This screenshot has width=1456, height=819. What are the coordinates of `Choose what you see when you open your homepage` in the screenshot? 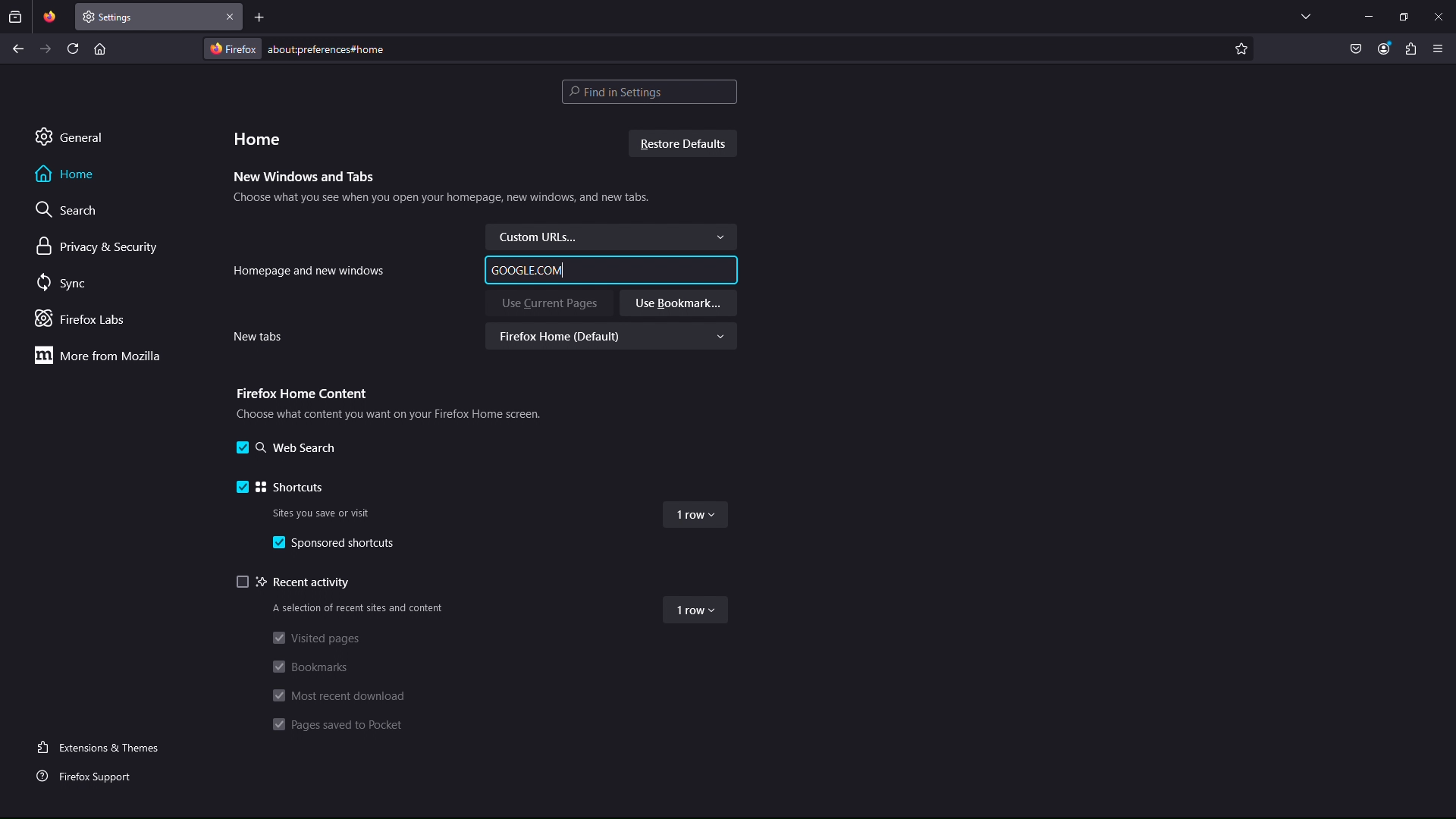 It's located at (441, 200).